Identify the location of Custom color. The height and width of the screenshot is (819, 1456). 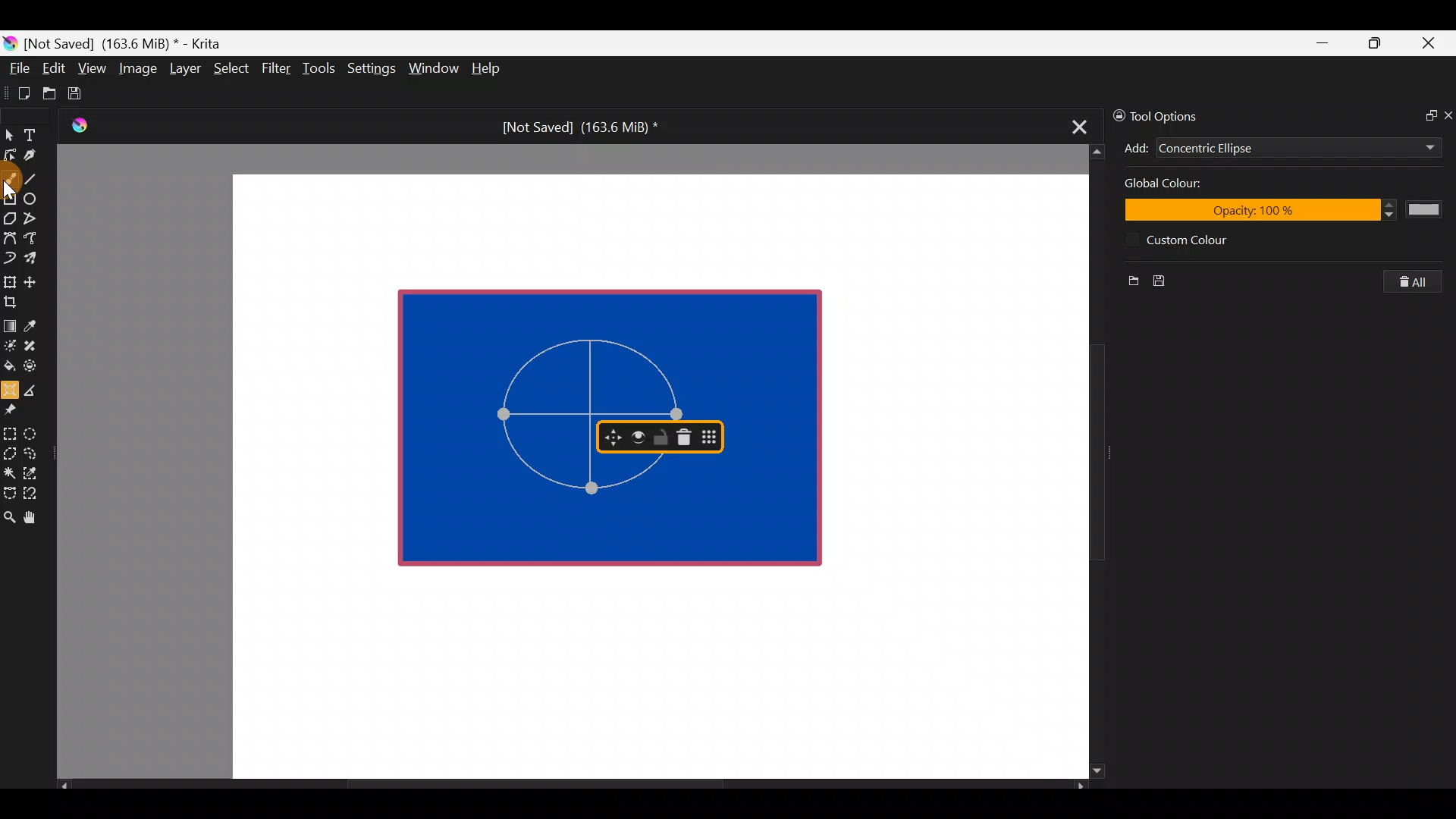
(1191, 241).